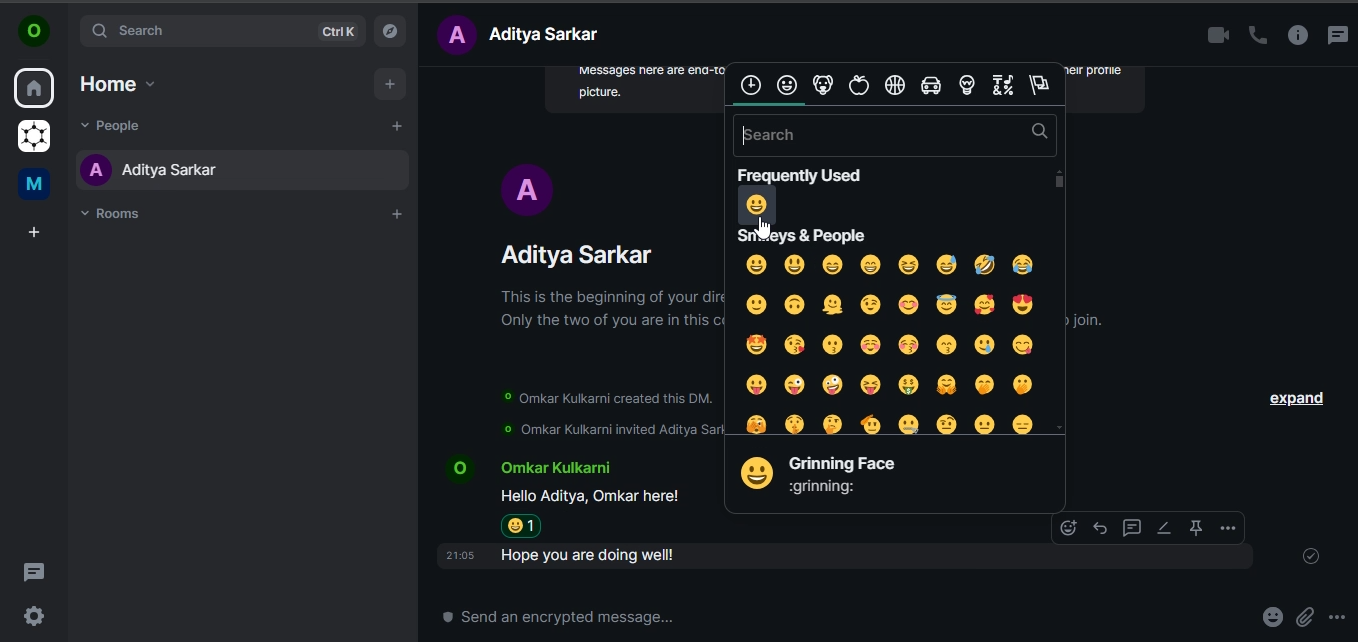 The width and height of the screenshot is (1358, 642). Describe the element at coordinates (1194, 528) in the screenshot. I see `pin` at that location.